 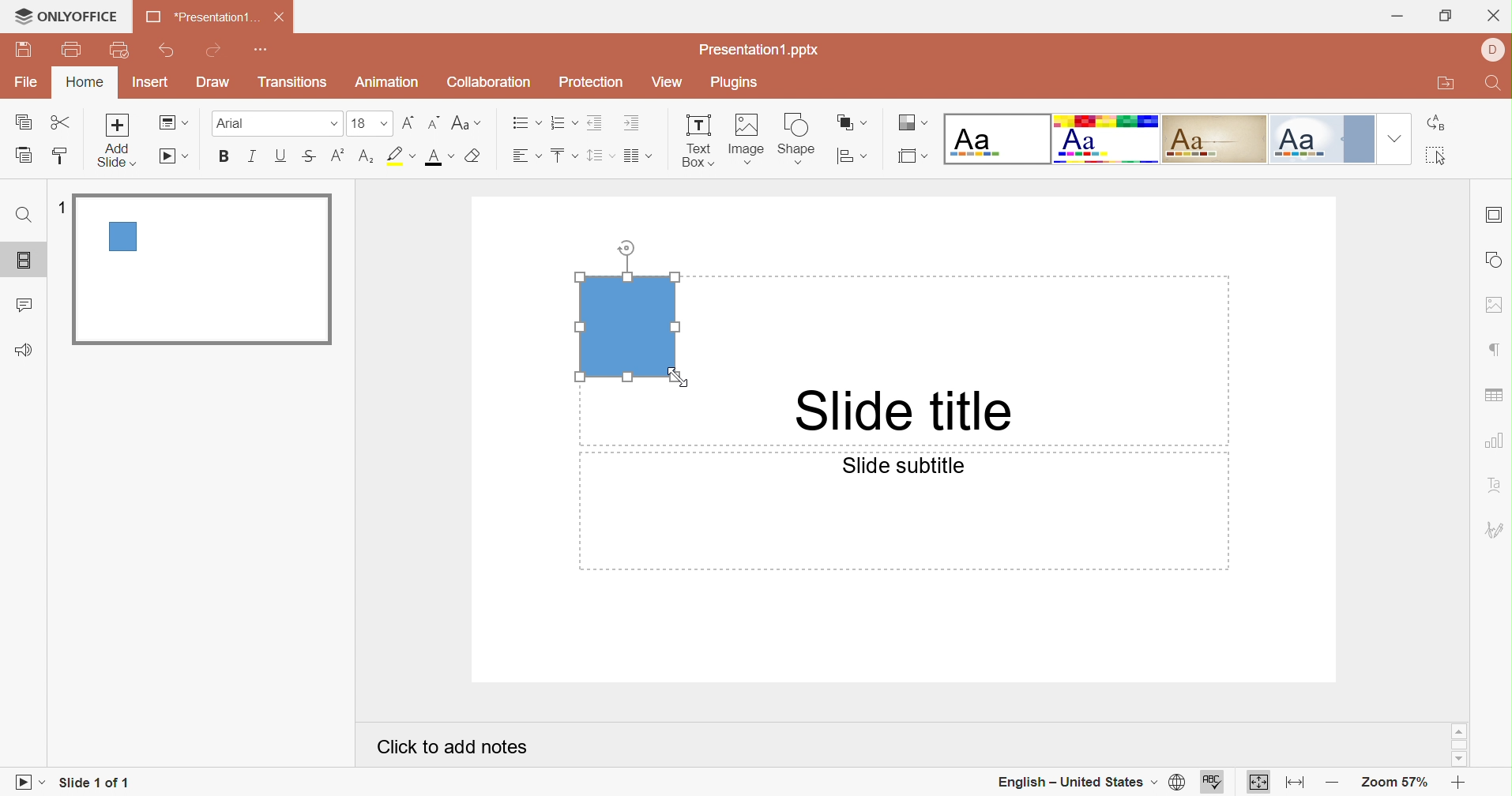 What do you see at coordinates (201, 16) in the screenshot?
I see `Presentation1...` at bounding box center [201, 16].